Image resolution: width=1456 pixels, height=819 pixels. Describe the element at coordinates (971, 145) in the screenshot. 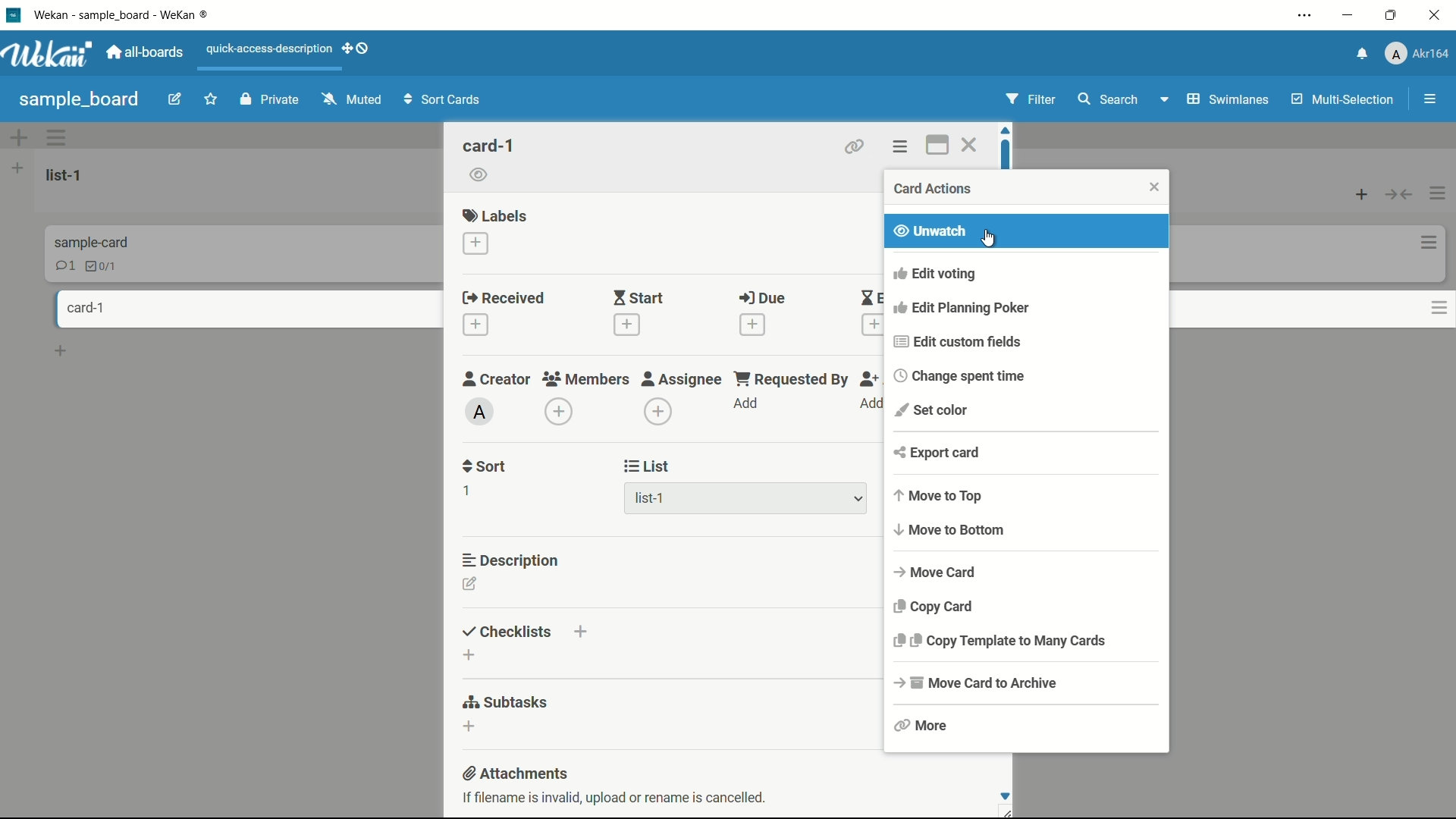

I see `close card` at that location.